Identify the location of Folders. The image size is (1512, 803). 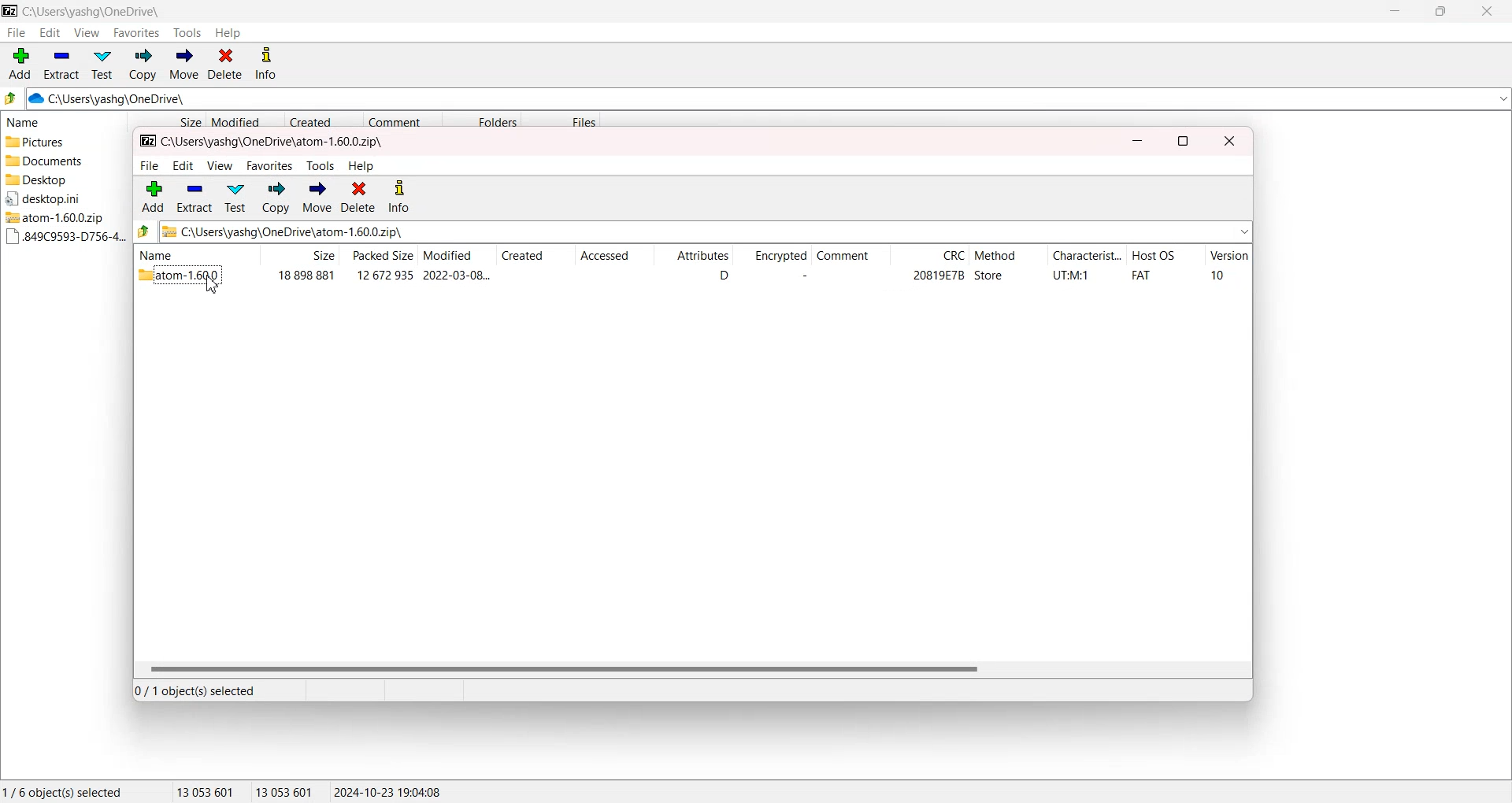
(481, 120).